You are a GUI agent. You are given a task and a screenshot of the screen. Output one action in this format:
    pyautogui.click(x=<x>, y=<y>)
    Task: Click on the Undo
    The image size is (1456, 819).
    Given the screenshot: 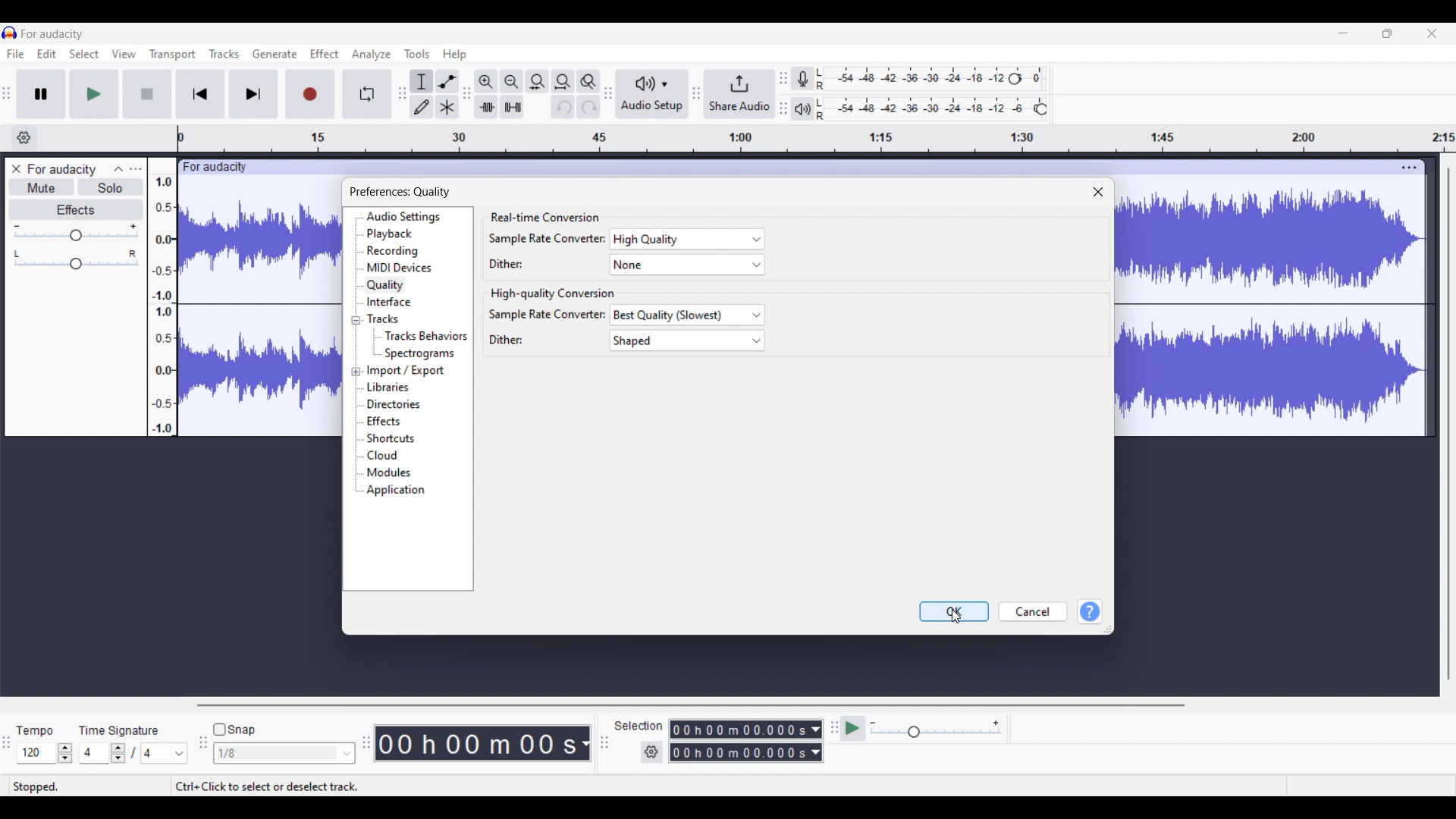 What is the action you would take?
    pyautogui.click(x=563, y=107)
    